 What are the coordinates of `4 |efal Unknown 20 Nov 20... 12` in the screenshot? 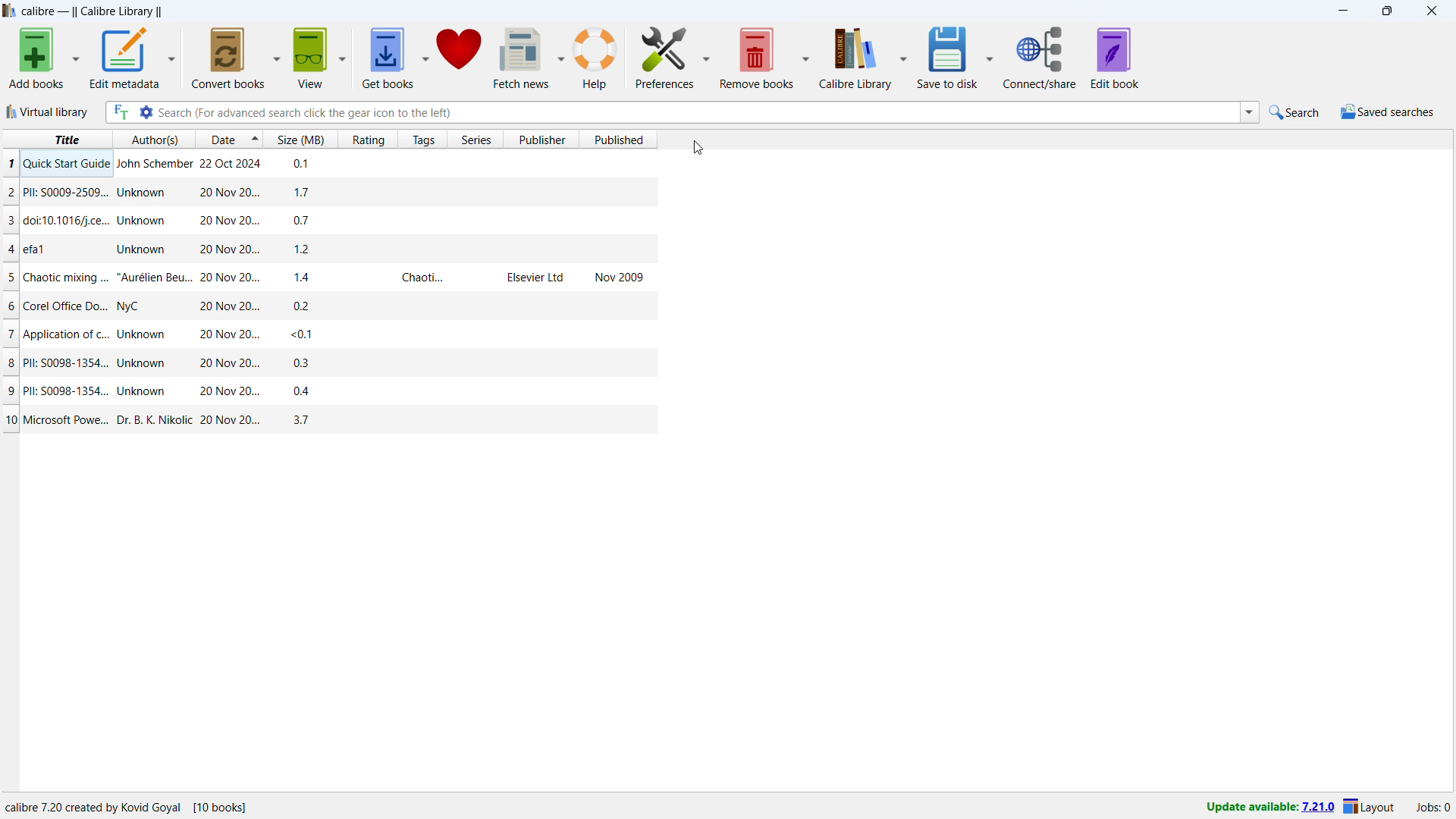 It's located at (331, 247).